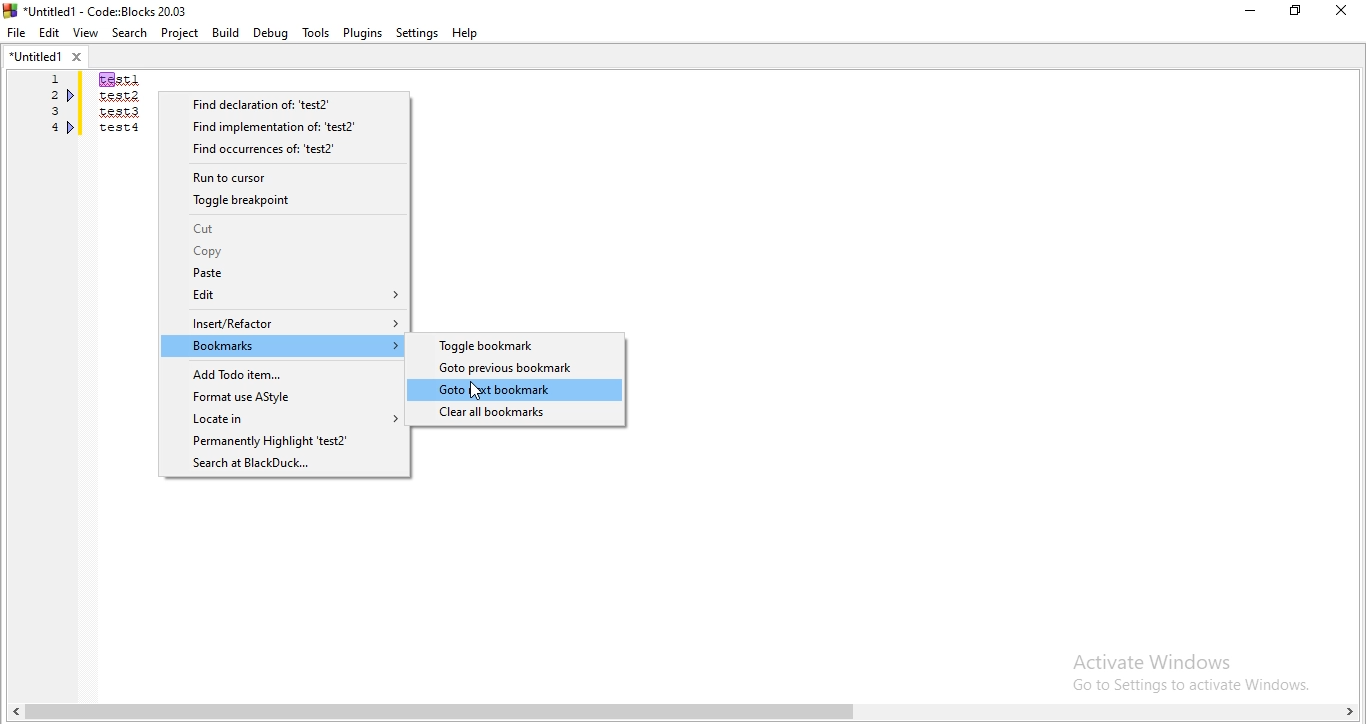 The image size is (1366, 724). What do you see at coordinates (282, 371) in the screenshot?
I see `Add Todo item..` at bounding box center [282, 371].